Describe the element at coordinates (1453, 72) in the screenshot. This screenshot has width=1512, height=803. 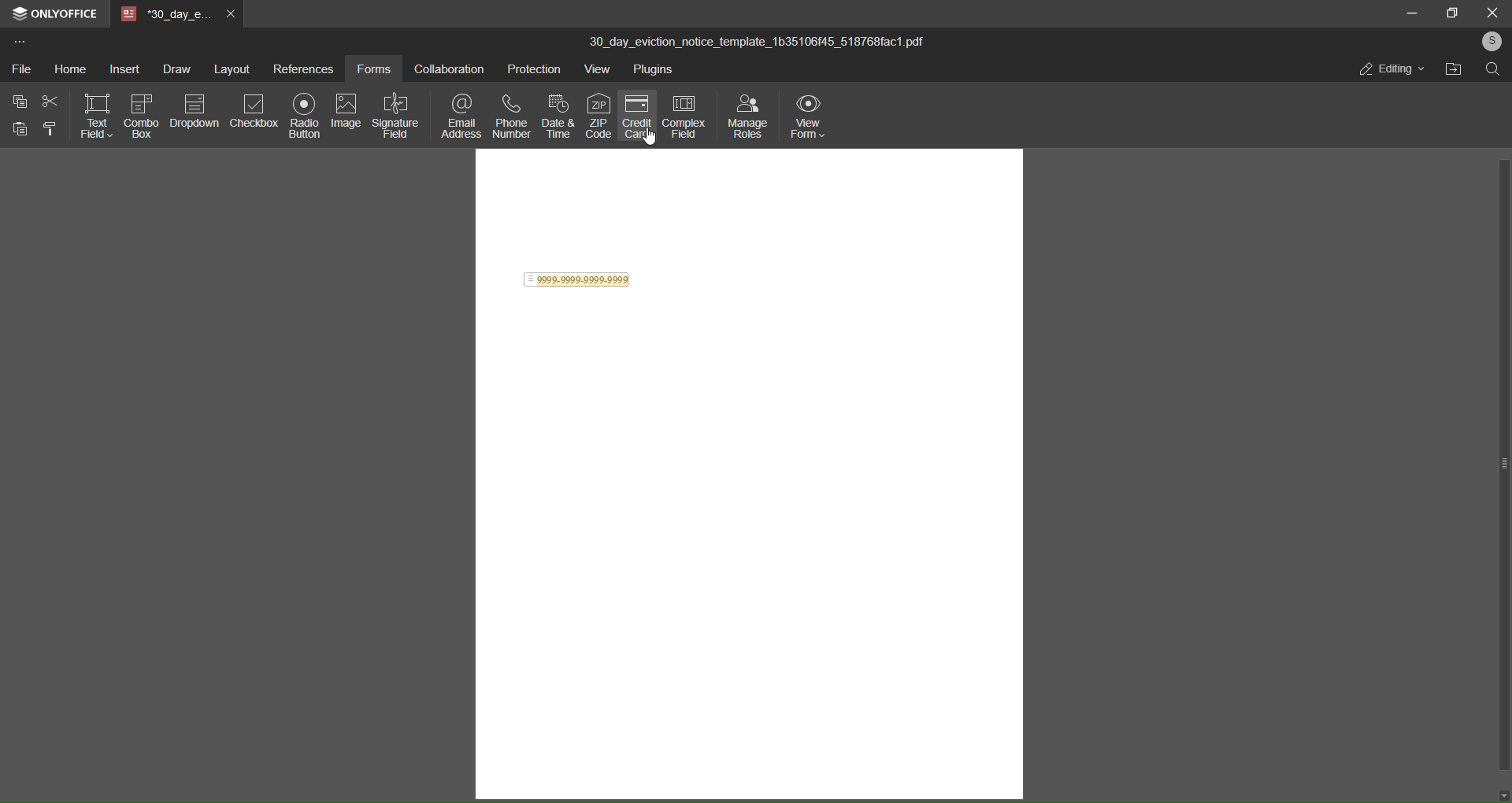
I see `open file location` at that location.